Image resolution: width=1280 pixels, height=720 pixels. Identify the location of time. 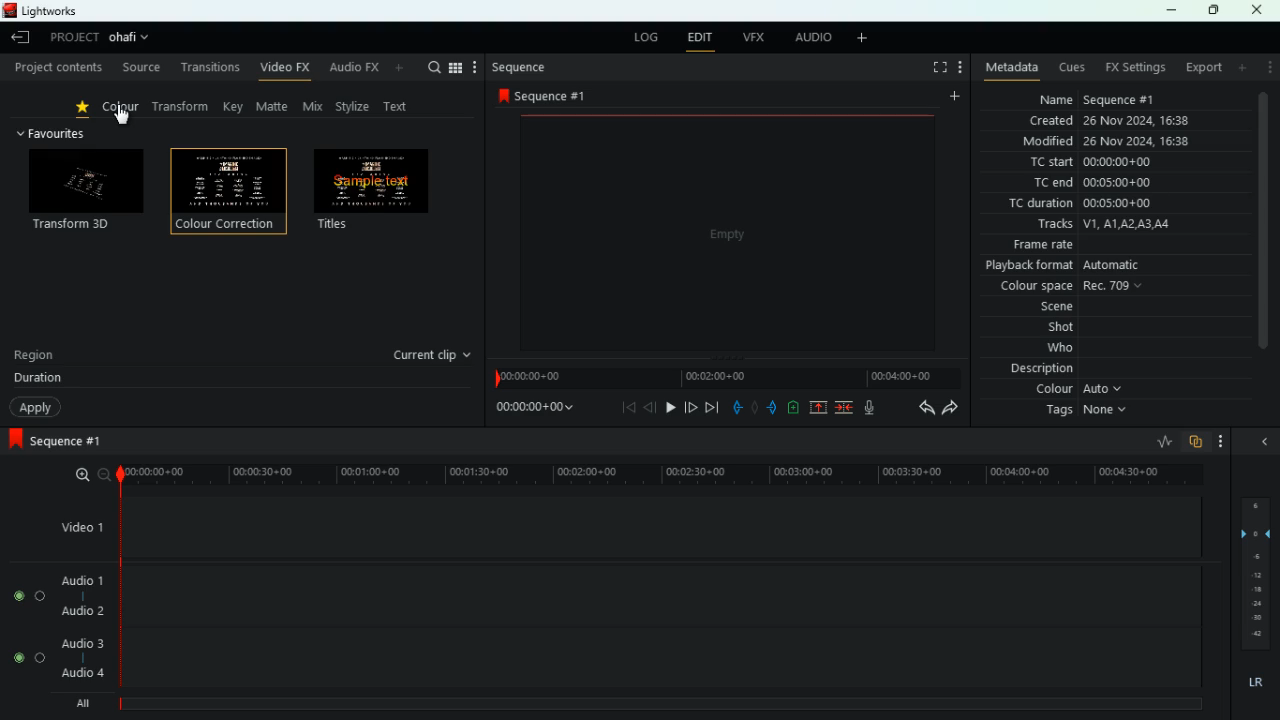
(531, 410).